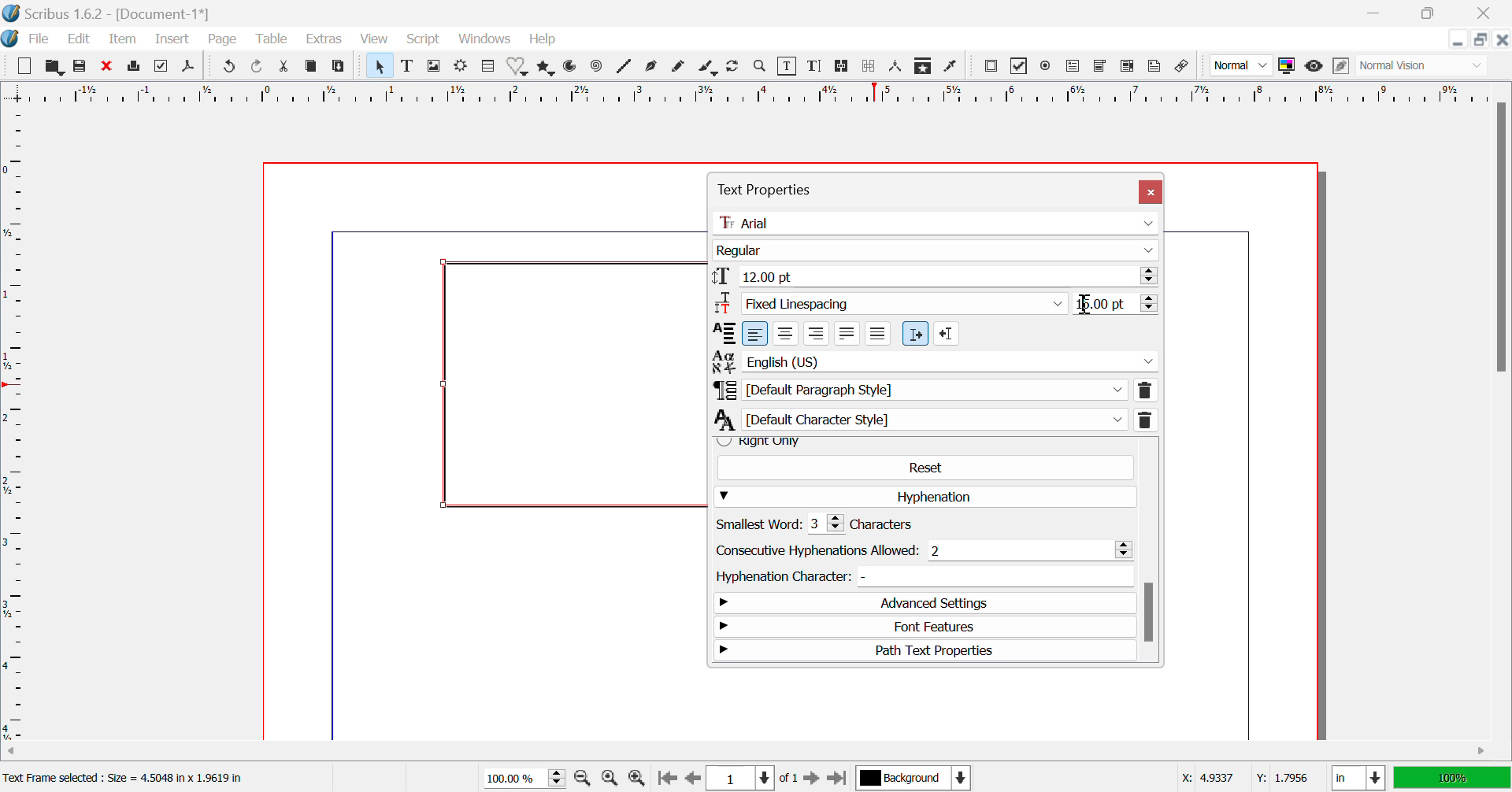 This screenshot has height=792, width=1512. I want to click on Previous Page, so click(691, 779).